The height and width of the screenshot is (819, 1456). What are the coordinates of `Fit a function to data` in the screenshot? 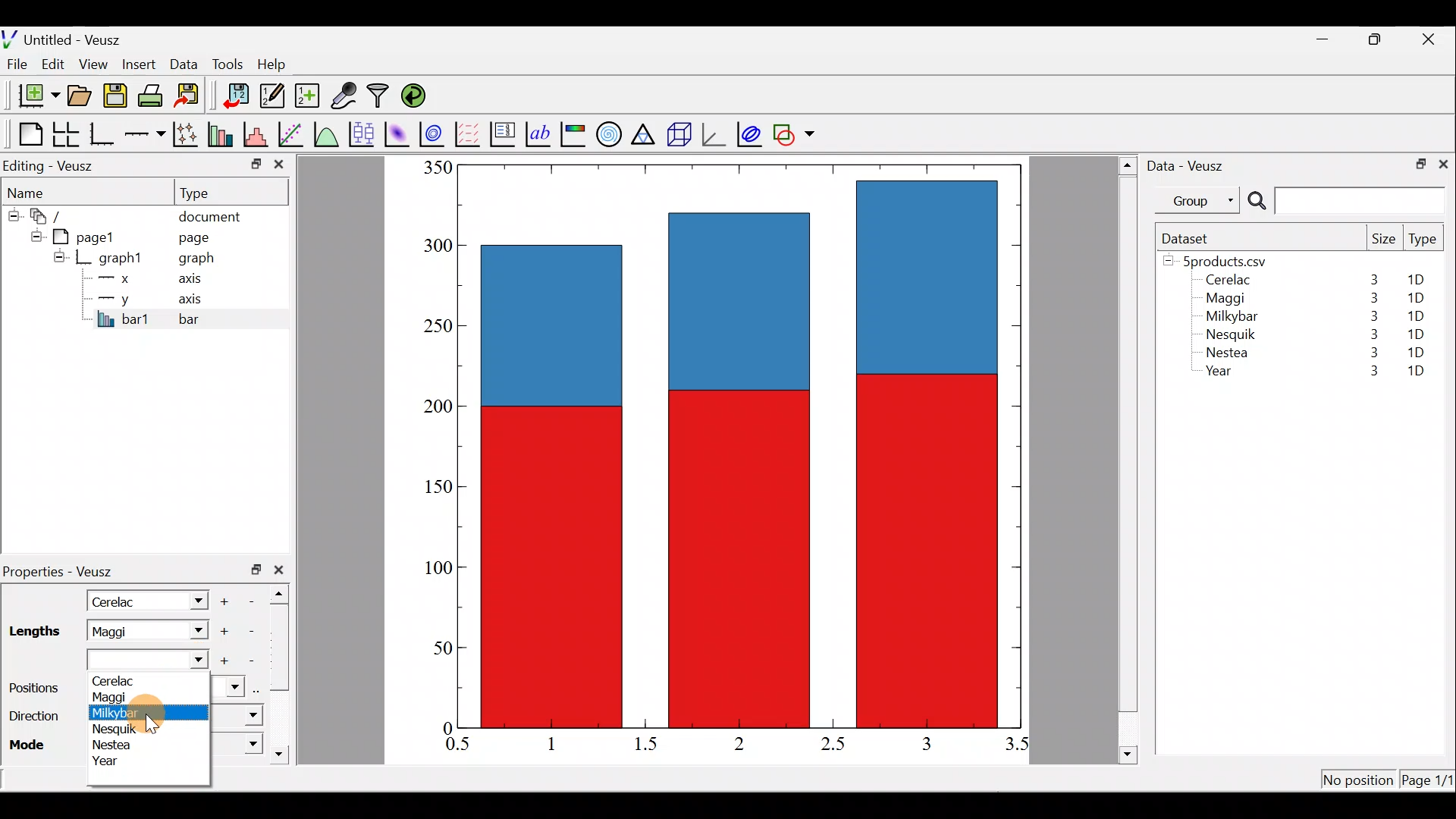 It's located at (292, 133).